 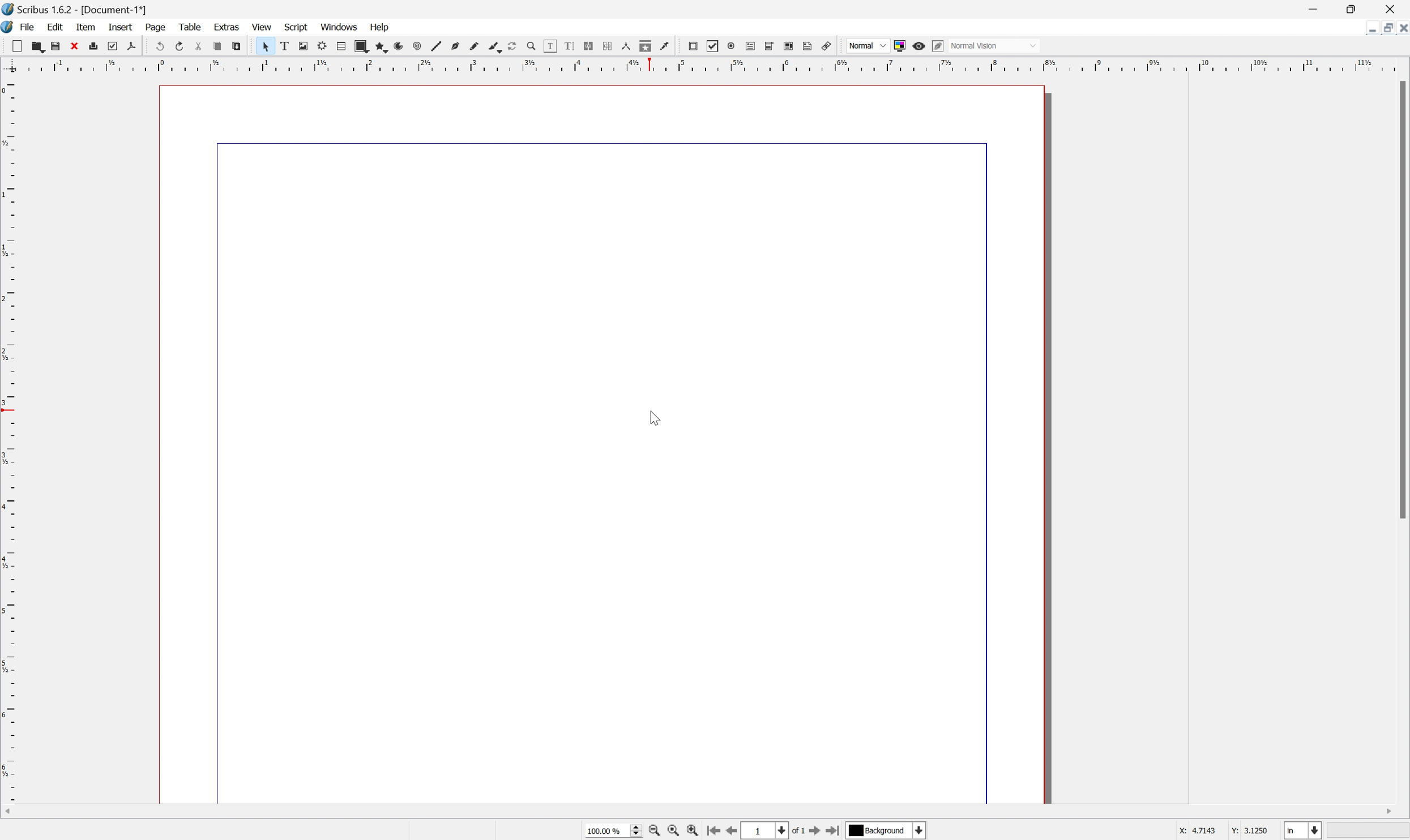 I want to click on Rotate item, so click(x=511, y=45).